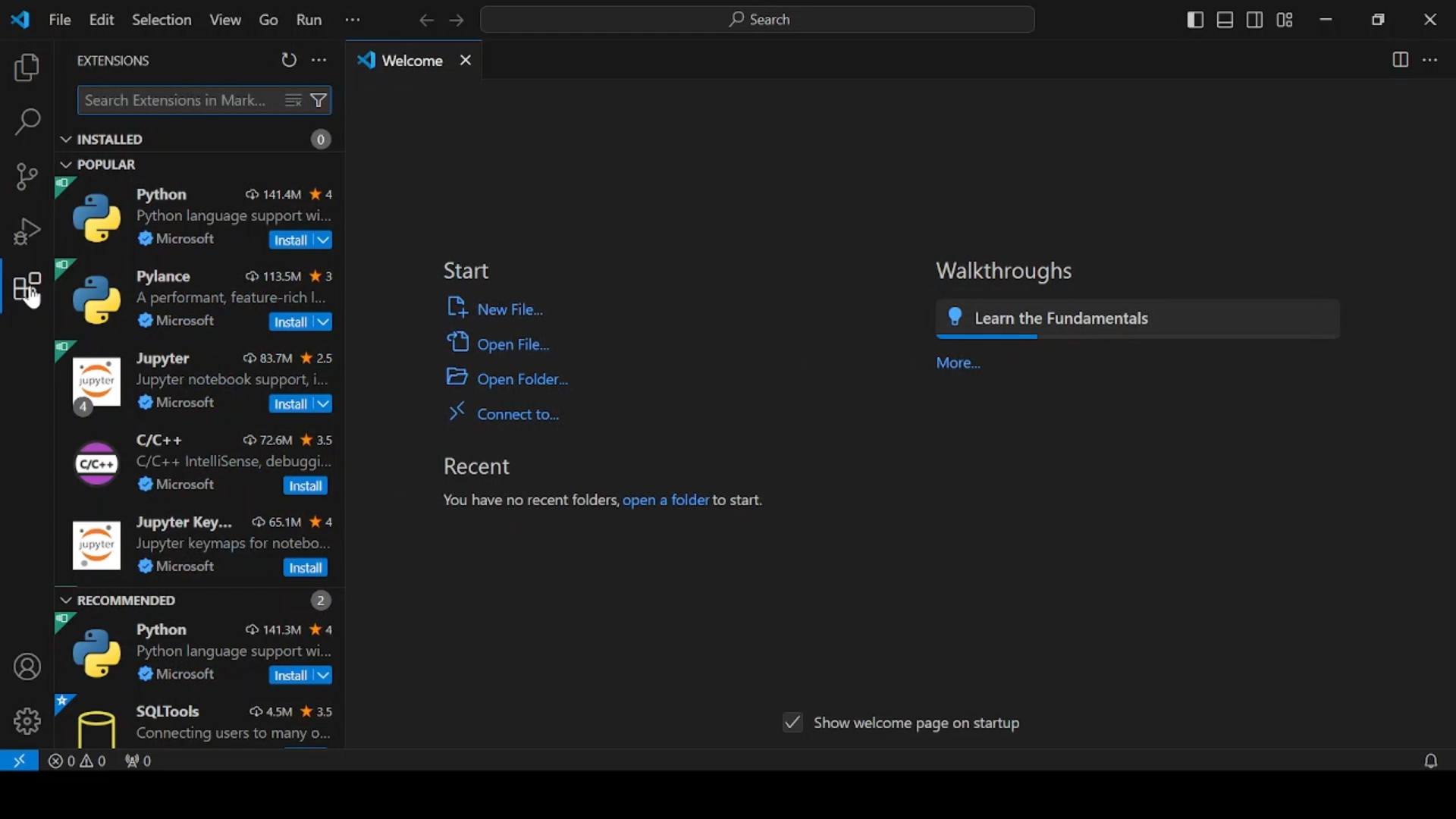 This screenshot has height=819, width=1456. I want to click on vscode, so click(23, 20).